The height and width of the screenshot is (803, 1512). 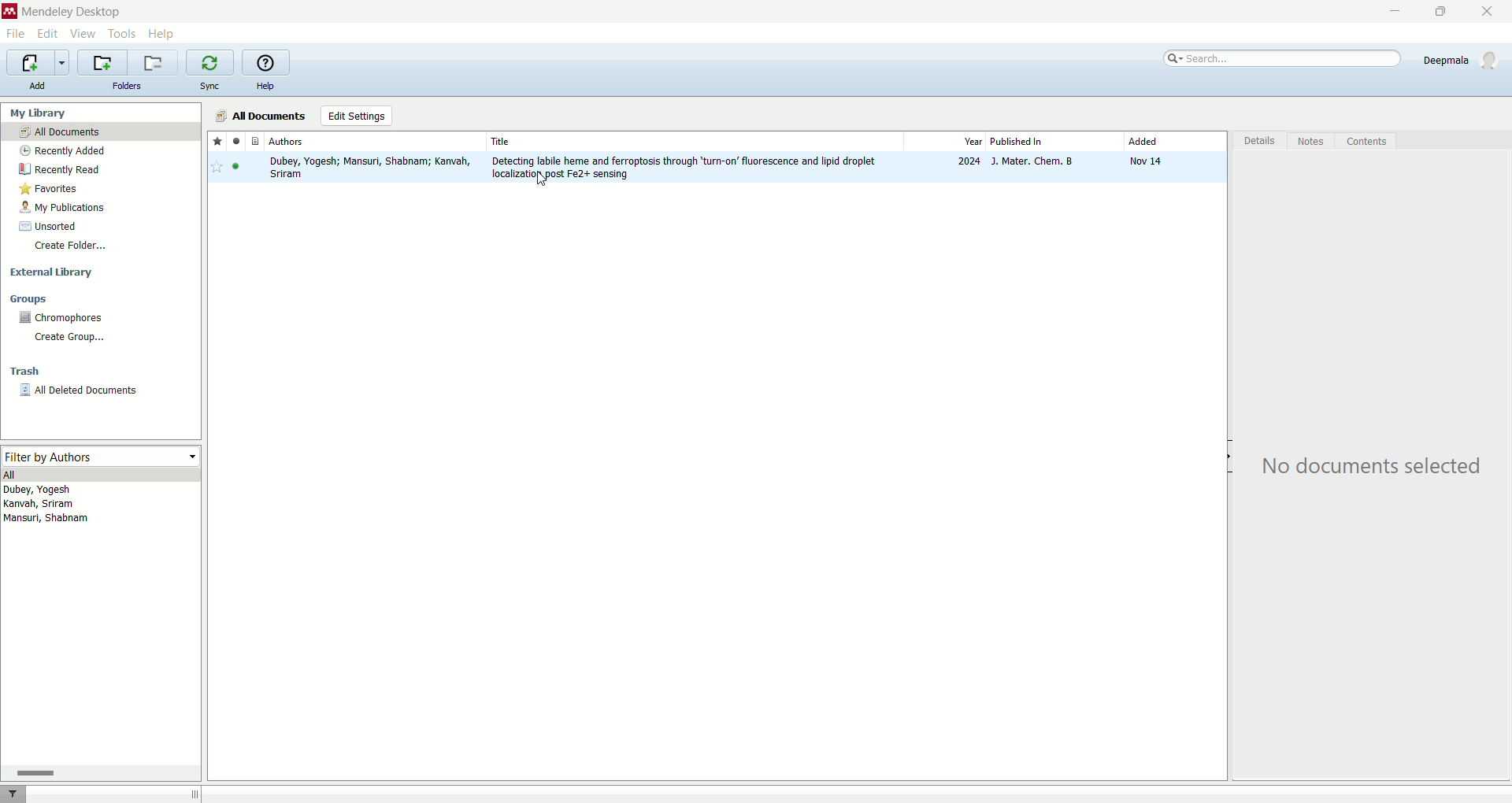 What do you see at coordinates (1284, 57) in the screenshot?
I see `search` at bounding box center [1284, 57].